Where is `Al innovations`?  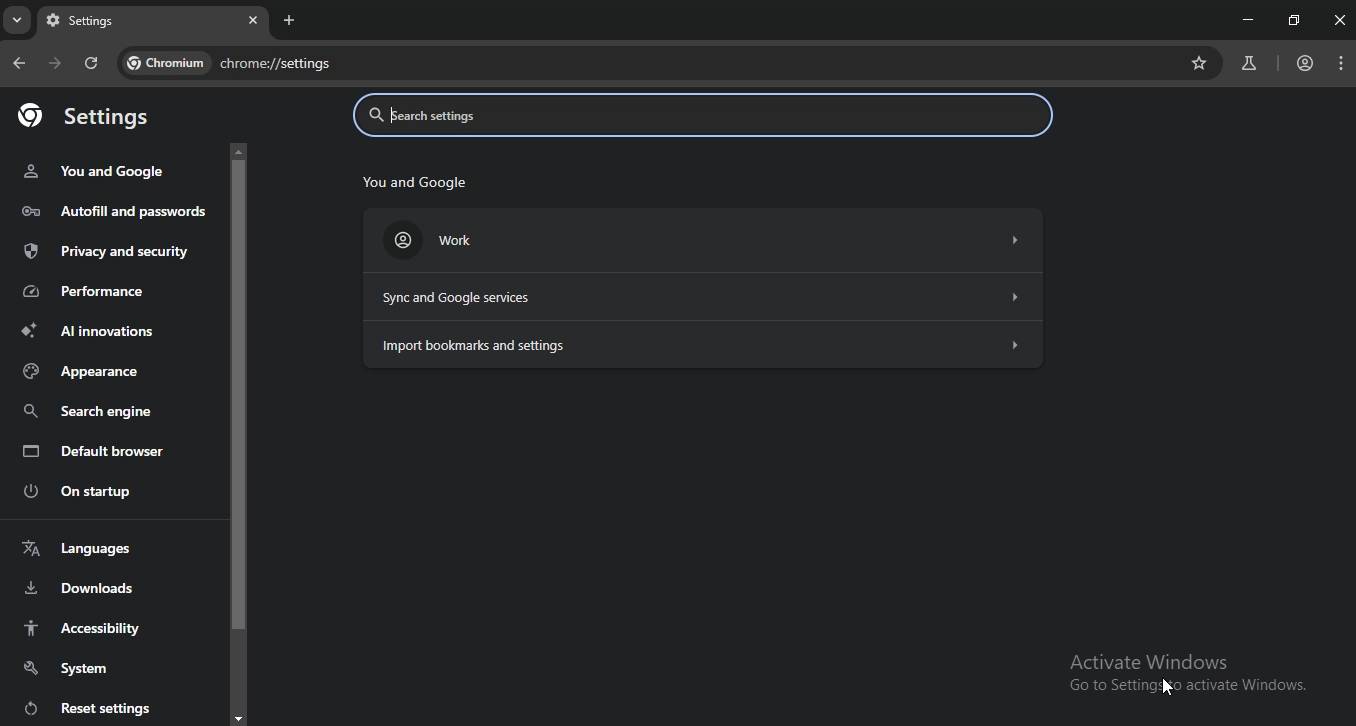 Al innovations is located at coordinates (87, 330).